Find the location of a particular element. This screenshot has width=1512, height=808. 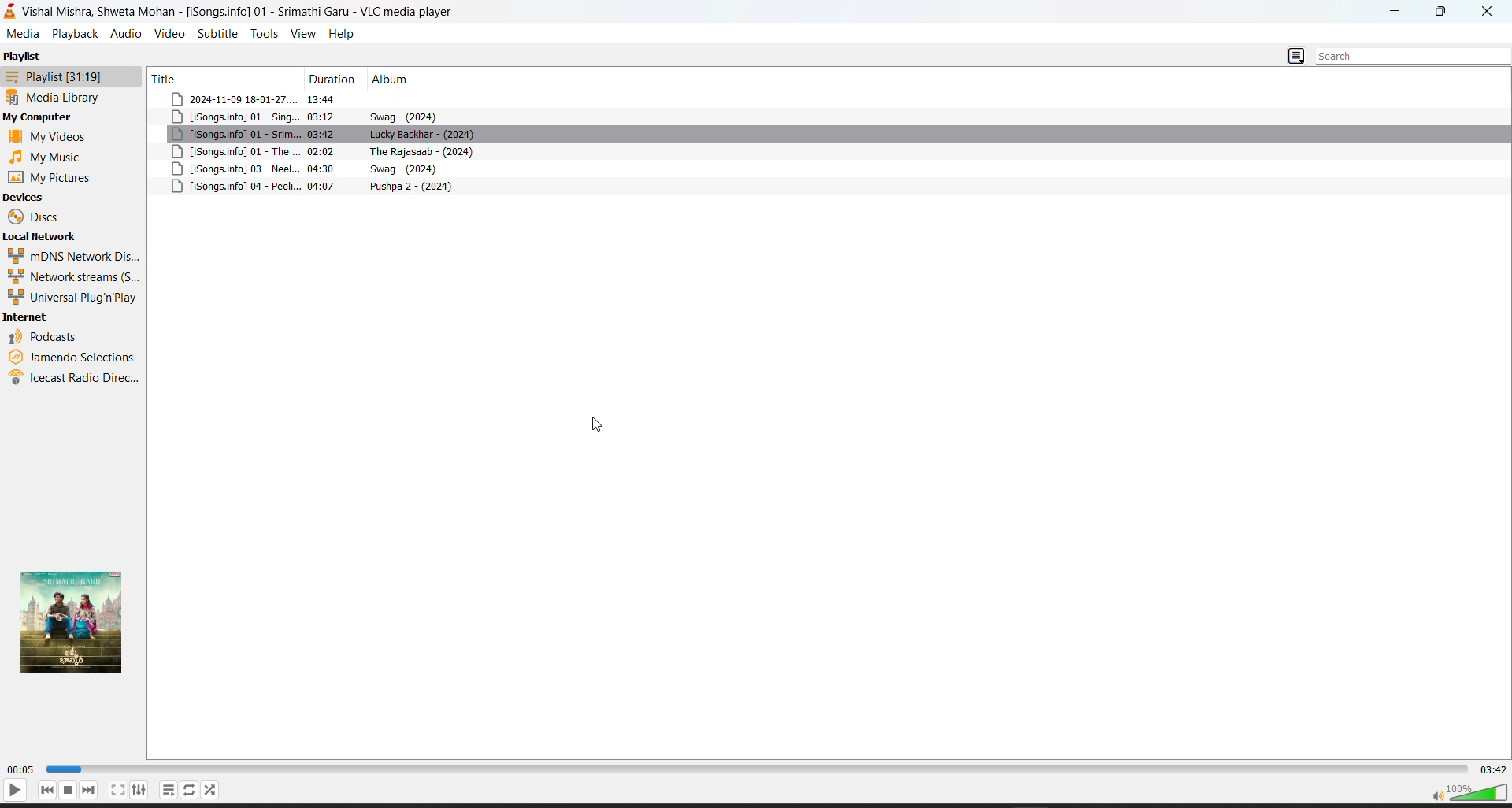

jamendo selection is located at coordinates (75, 356).